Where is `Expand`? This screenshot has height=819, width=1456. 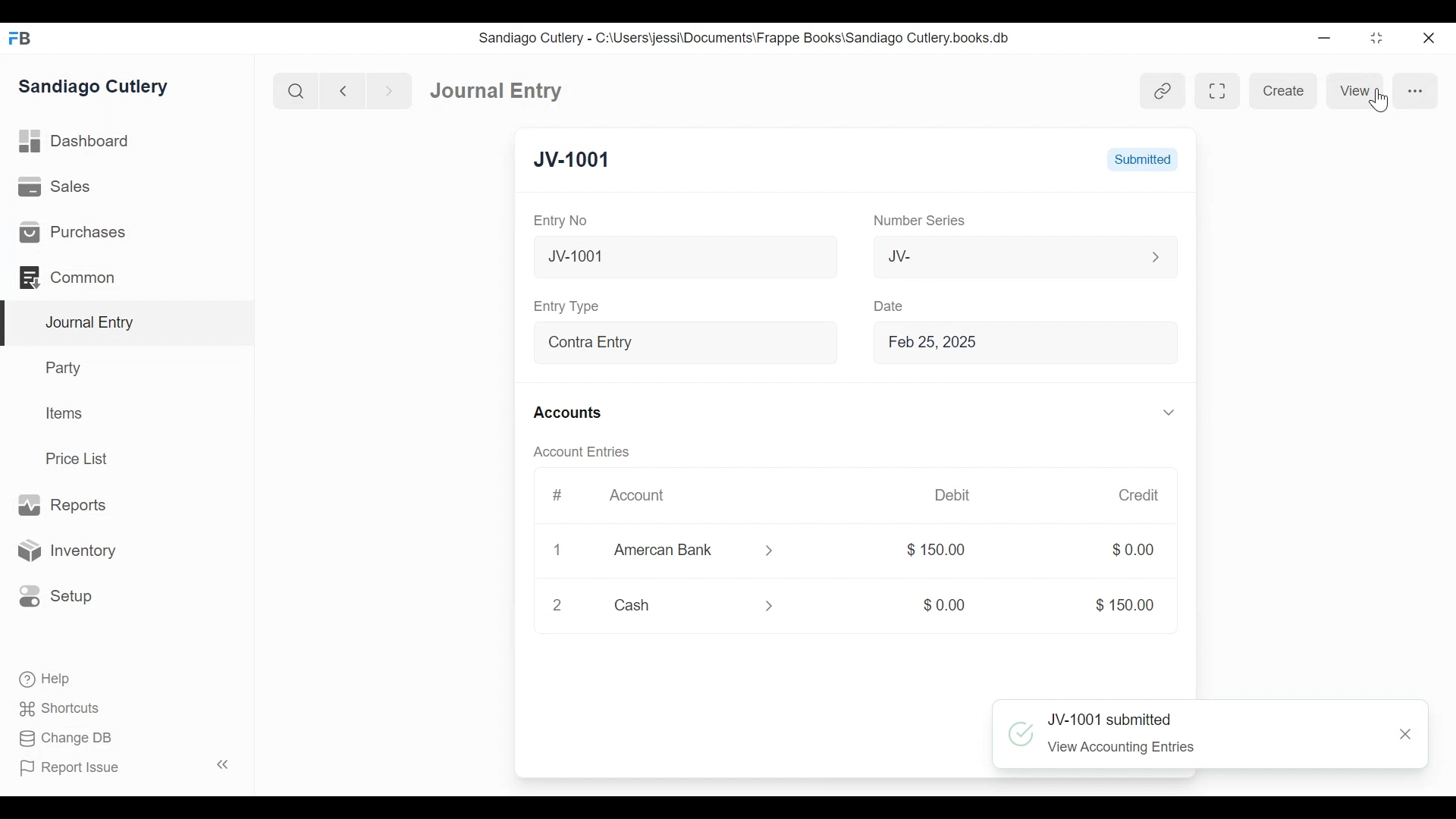
Expand is located at coordinates (1166, 413).